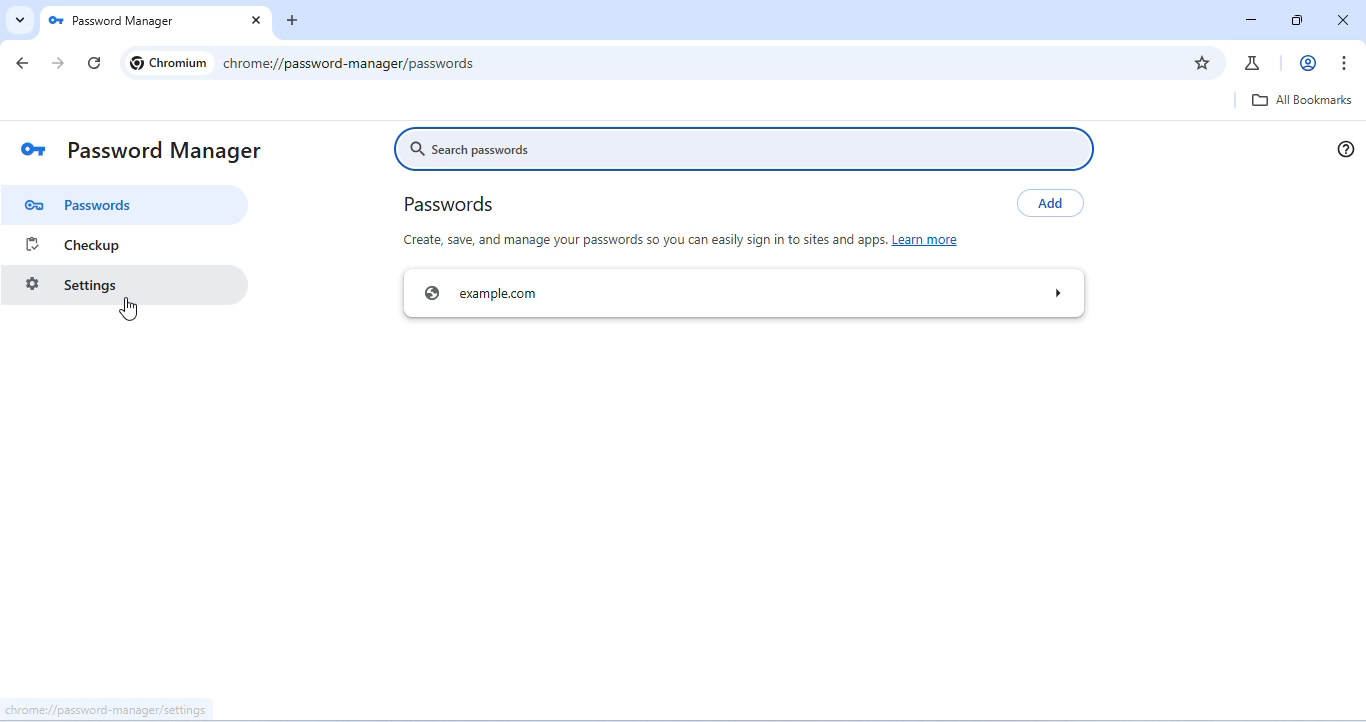 This screenshot has width=1366, height=722. Describe the element at coordinates (1250, 19) in the screenshot. I see `minimize` at that location.